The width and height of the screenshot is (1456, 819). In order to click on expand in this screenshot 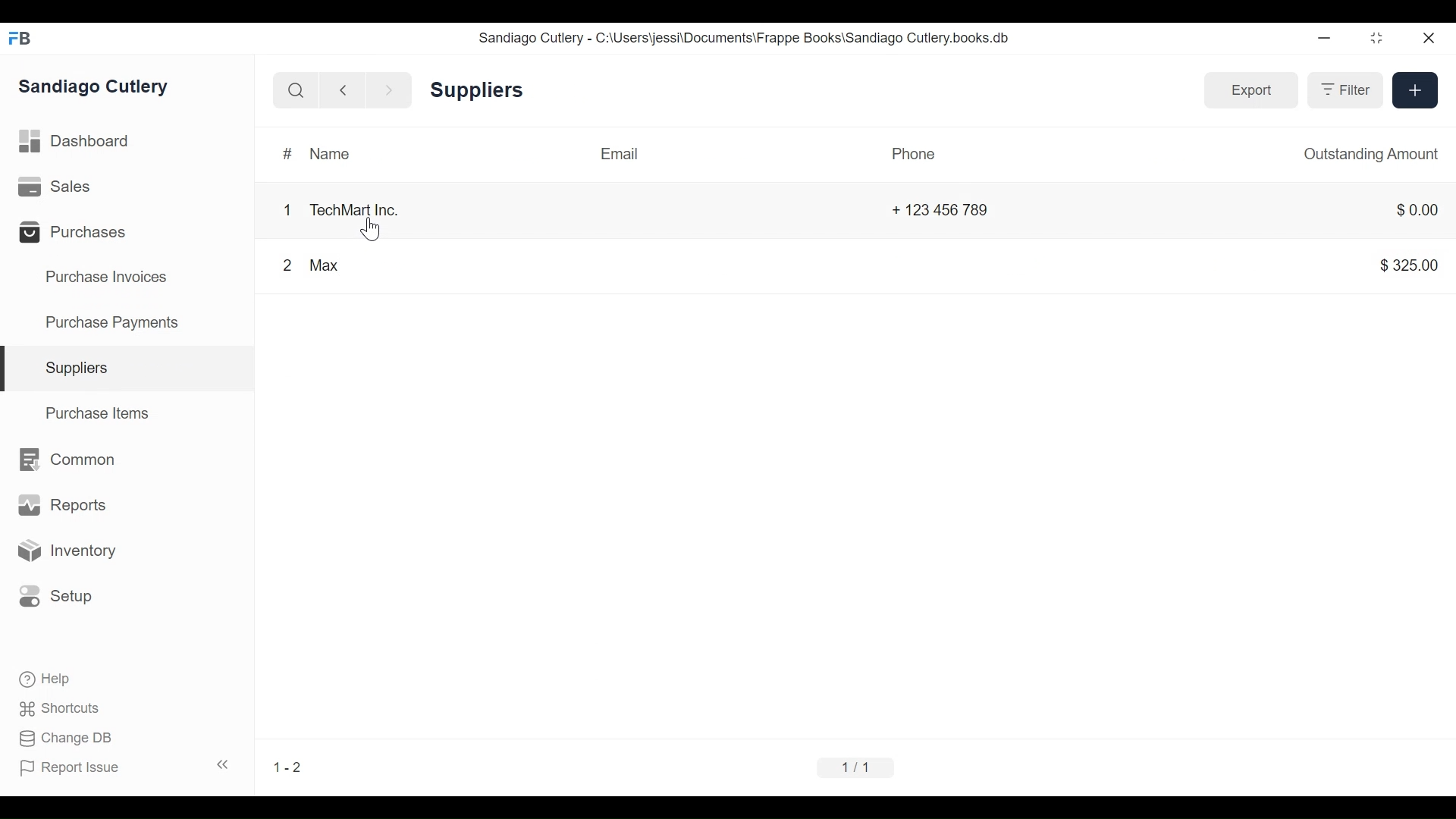, I will do `click(223, 767)`.